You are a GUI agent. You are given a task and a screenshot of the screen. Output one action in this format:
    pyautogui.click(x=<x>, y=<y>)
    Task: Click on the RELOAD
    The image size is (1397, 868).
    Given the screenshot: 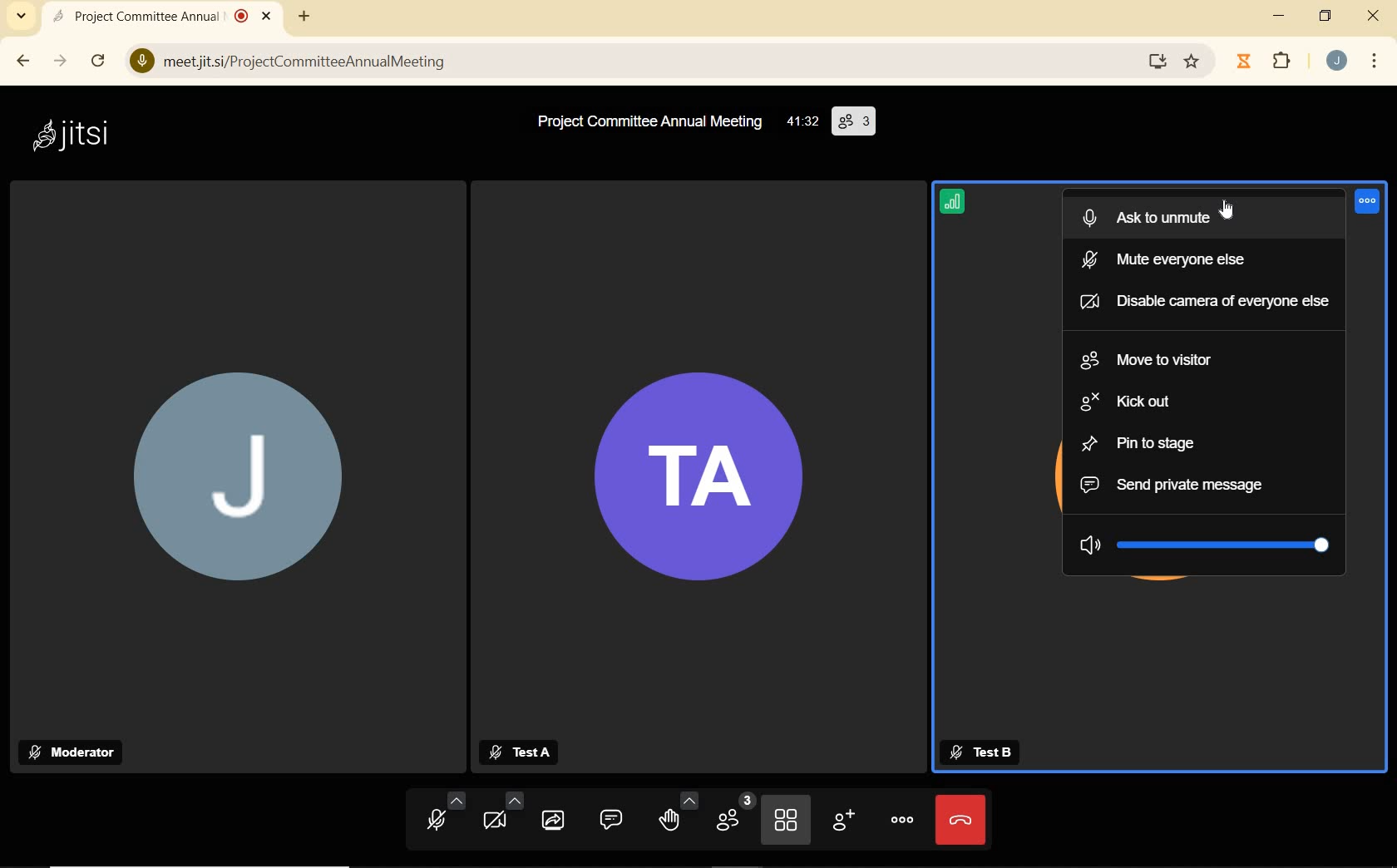 What is the action you would take?
    pyautogui.click(x=100, y=57)
    